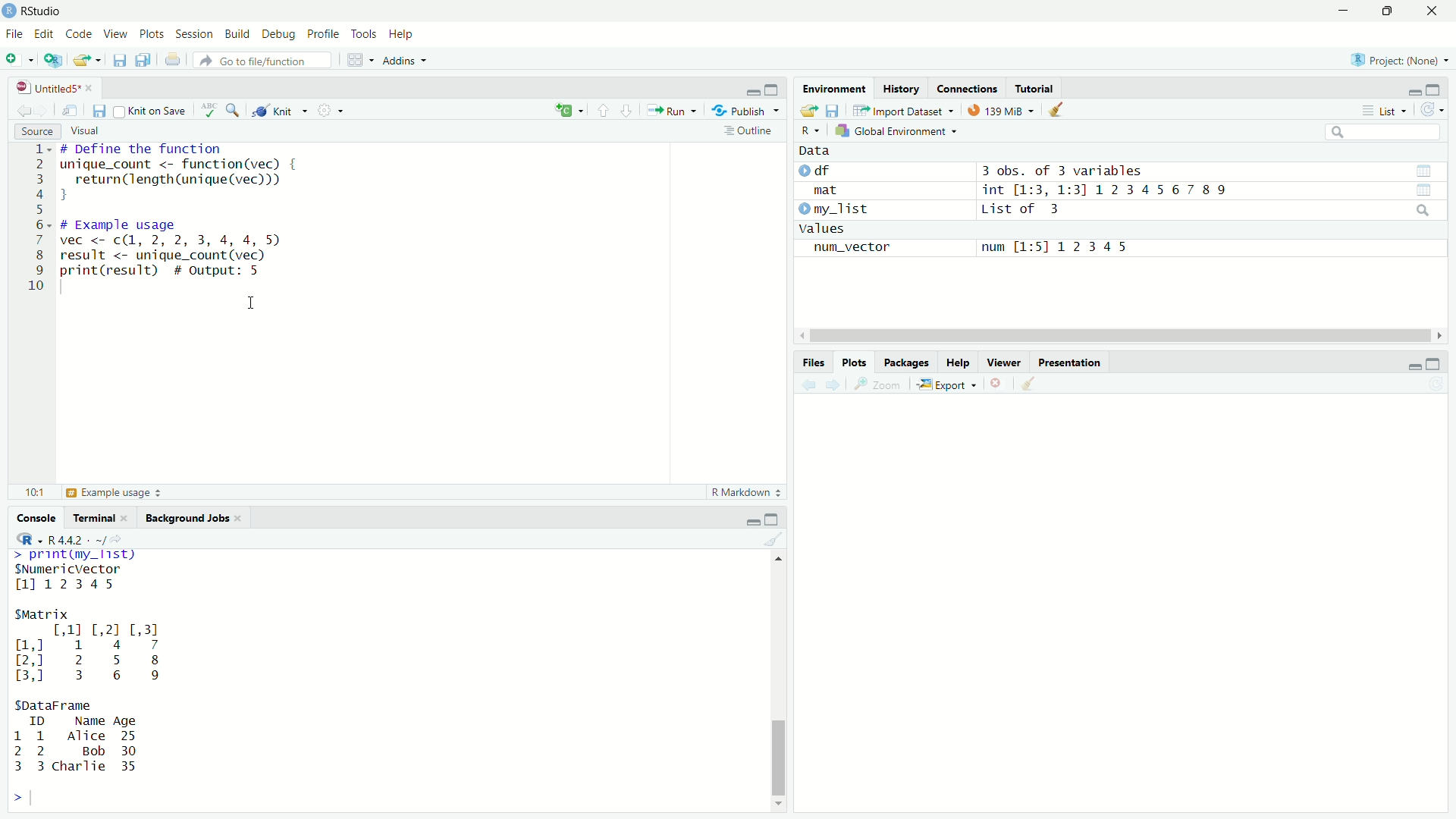 This screenshot has width=1456, height=819. What do you see at coordinates (51, 86) in the screenshot?
I see `untitled5` at bounding box center [51, 86].